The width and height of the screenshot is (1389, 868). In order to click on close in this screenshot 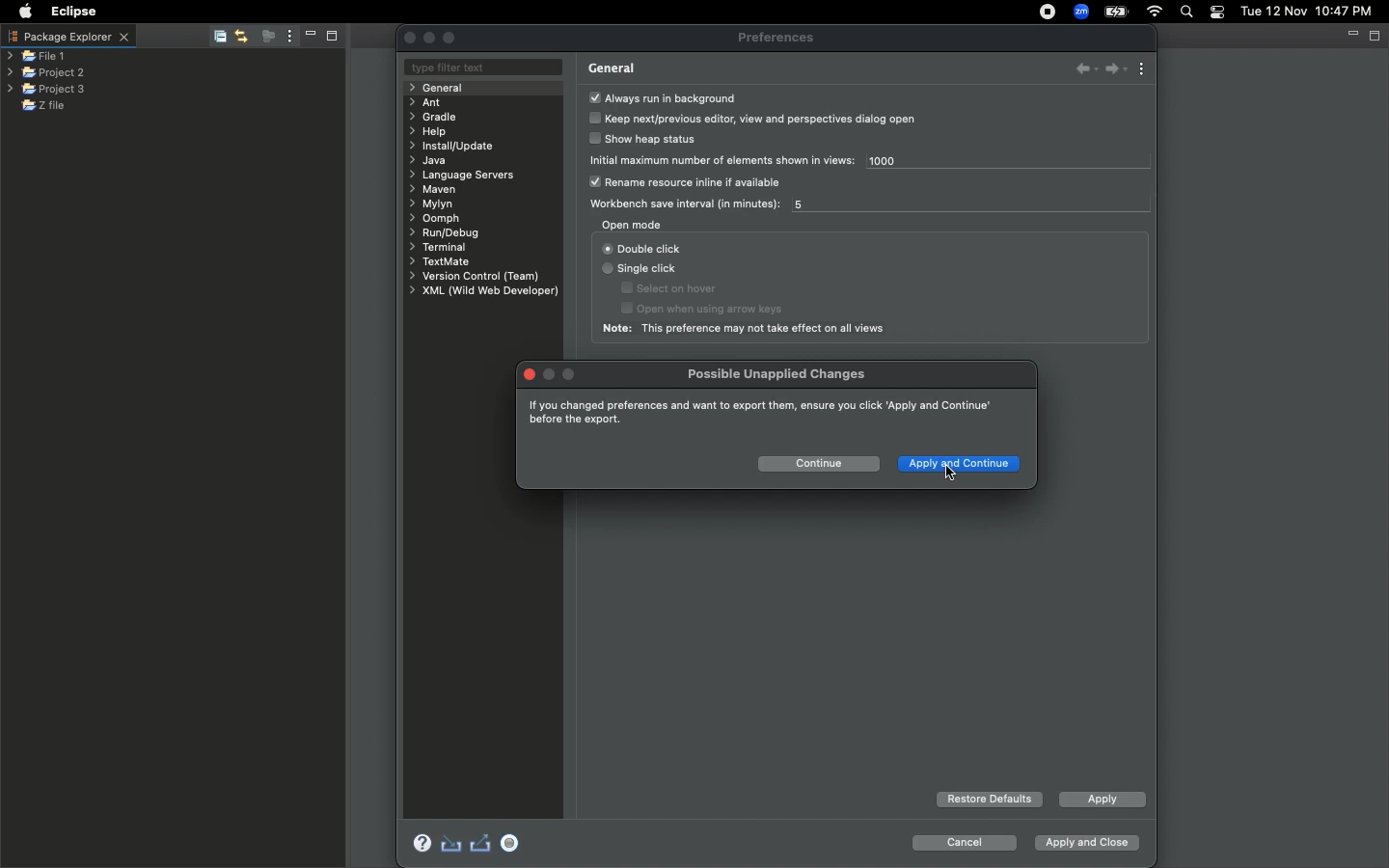, I will do `click(529, 374)`.